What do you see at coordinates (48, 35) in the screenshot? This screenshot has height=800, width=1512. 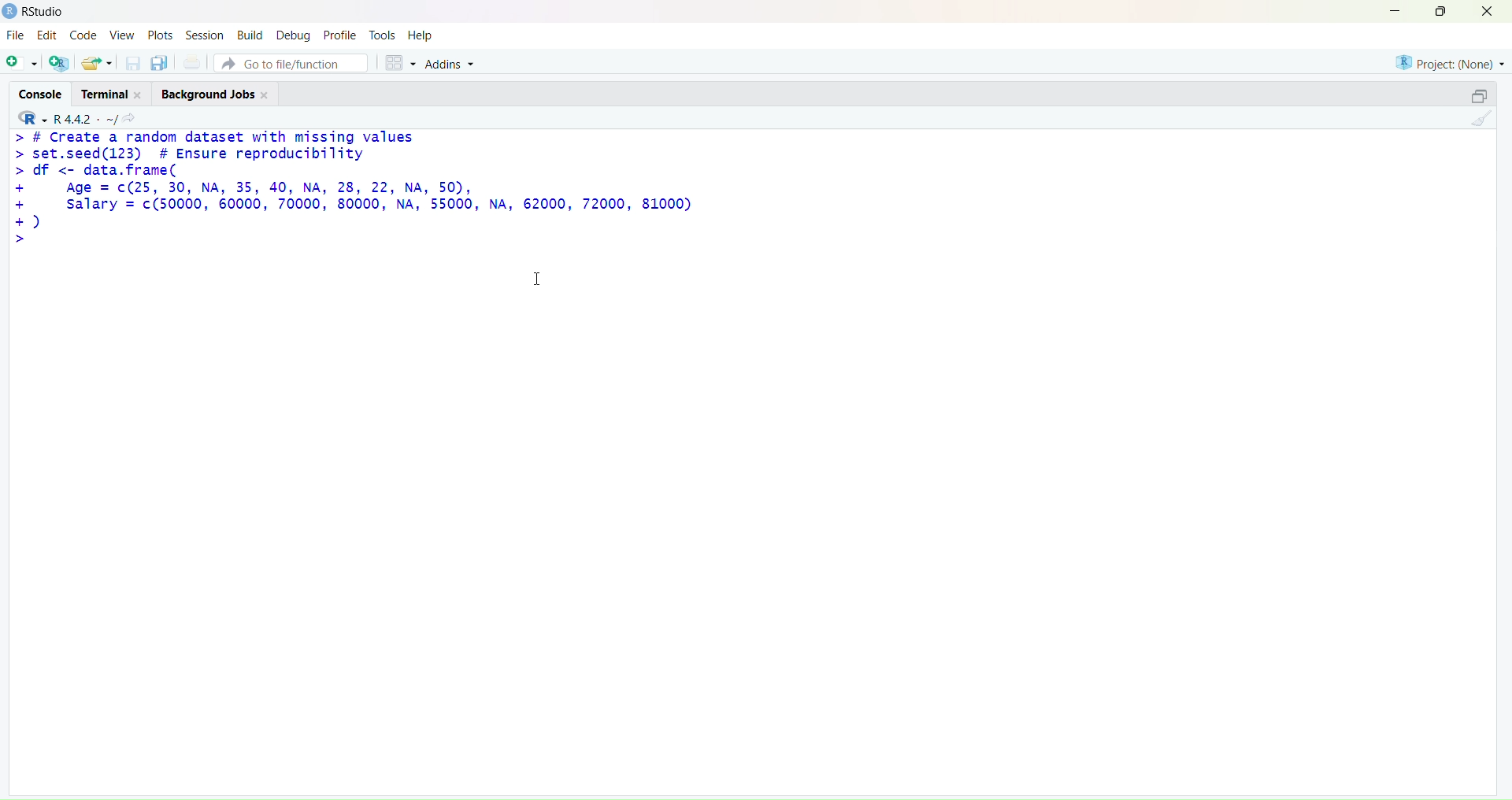 I see `edit` at bounding box center [48, 35].